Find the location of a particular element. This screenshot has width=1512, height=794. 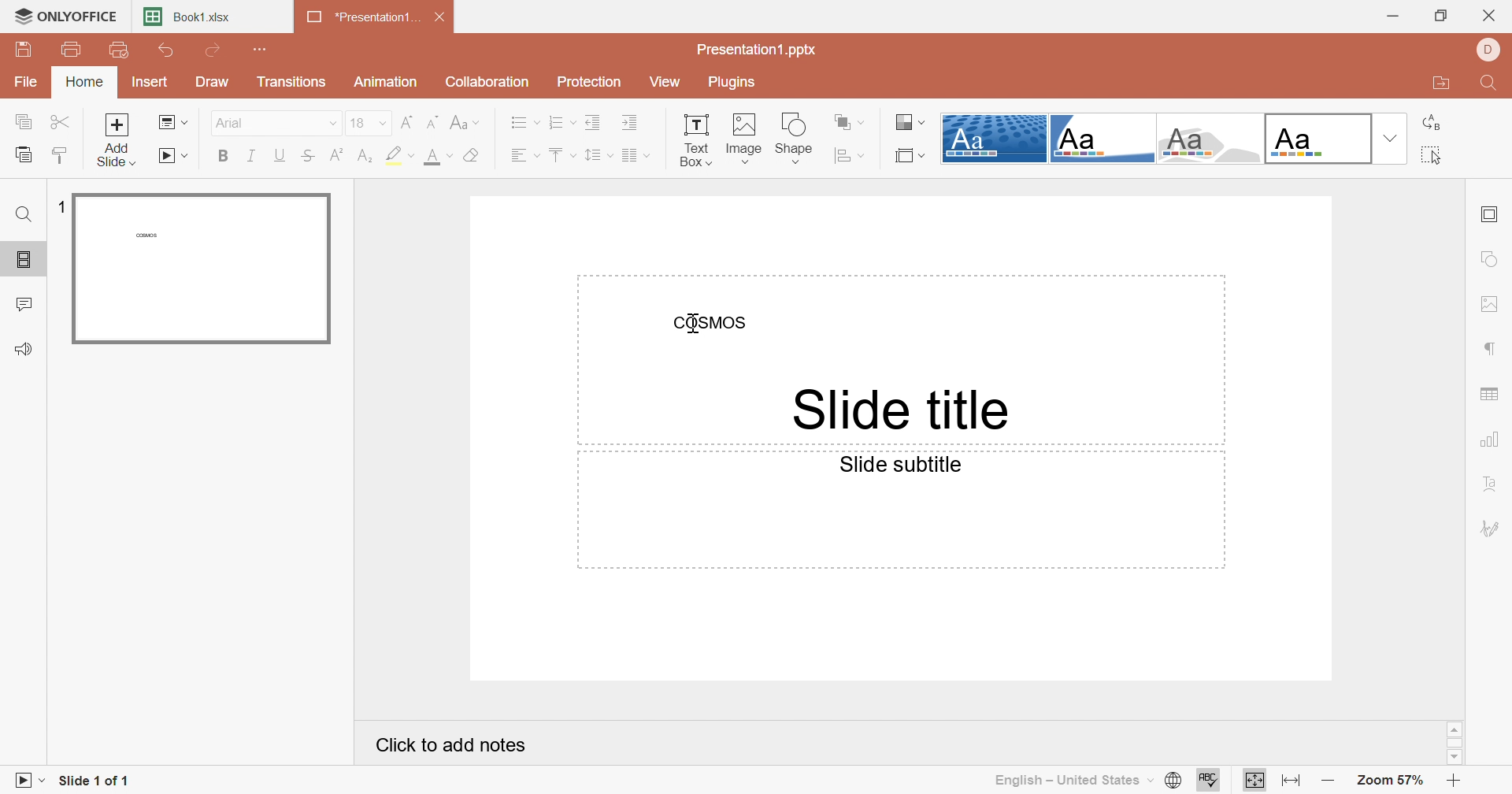

Cursor is located at coordinates (690, 325).